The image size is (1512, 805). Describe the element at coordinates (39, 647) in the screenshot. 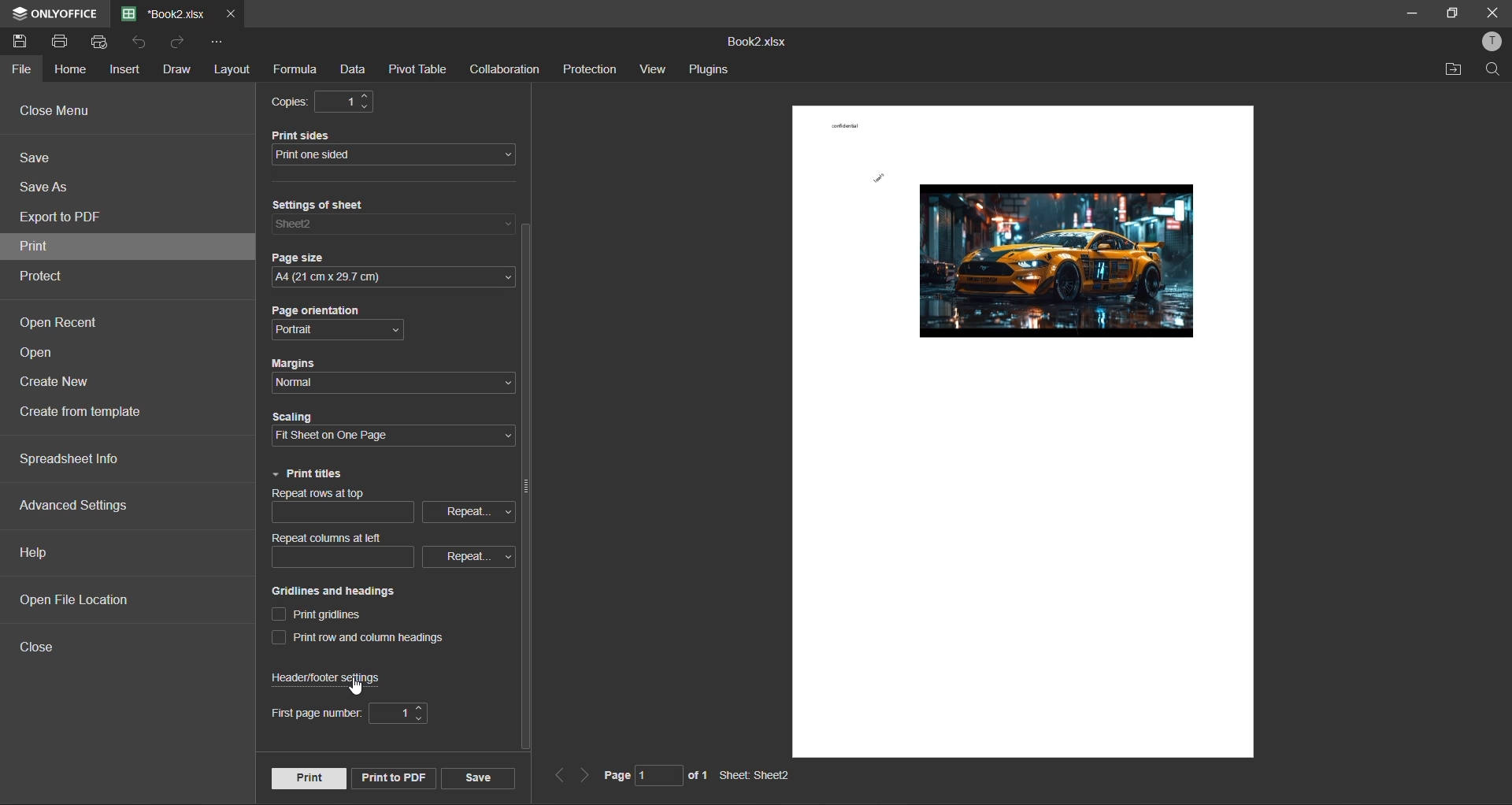

I see `close` at that location.